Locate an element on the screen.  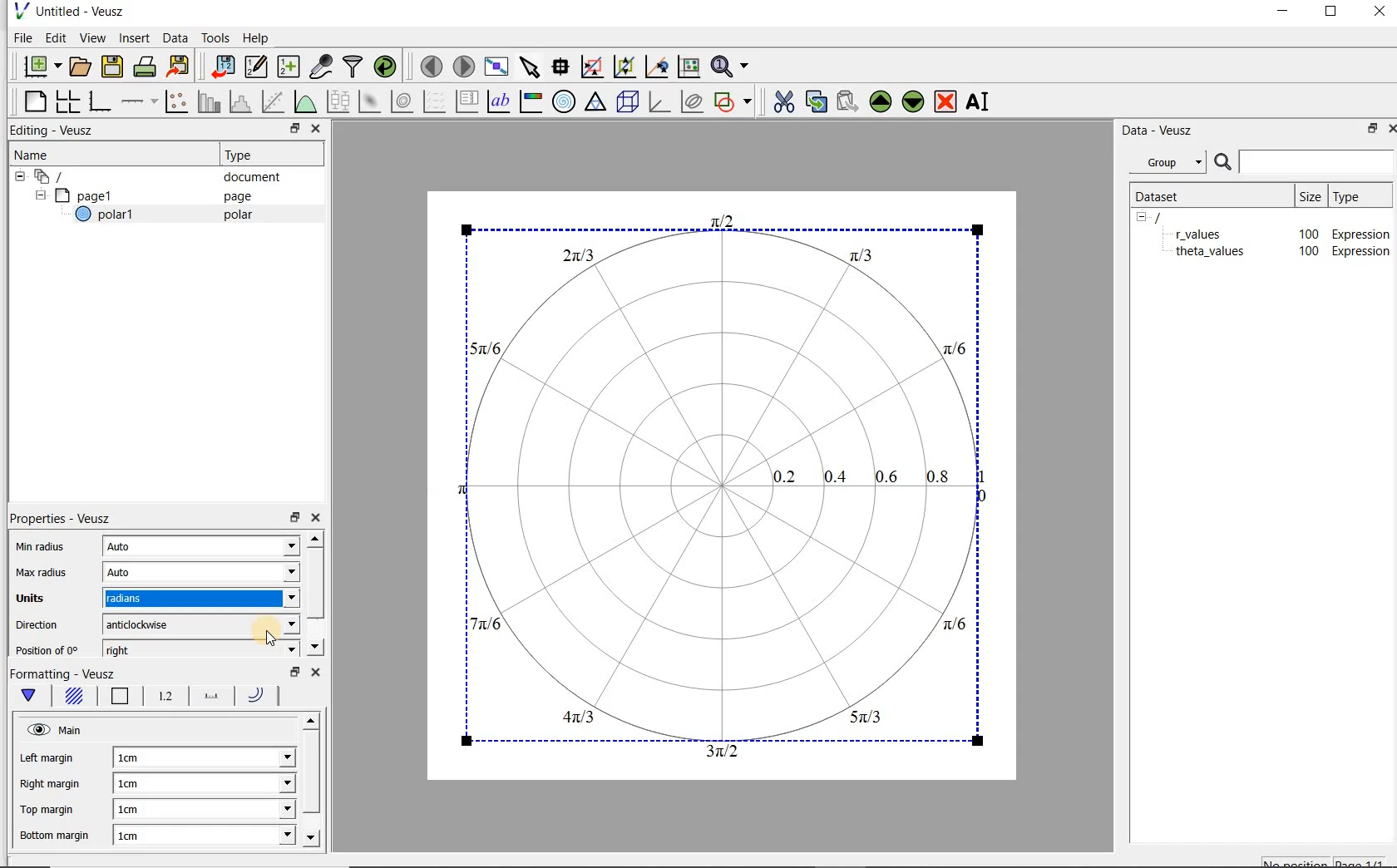
Help is located at coordinates (258, 37).